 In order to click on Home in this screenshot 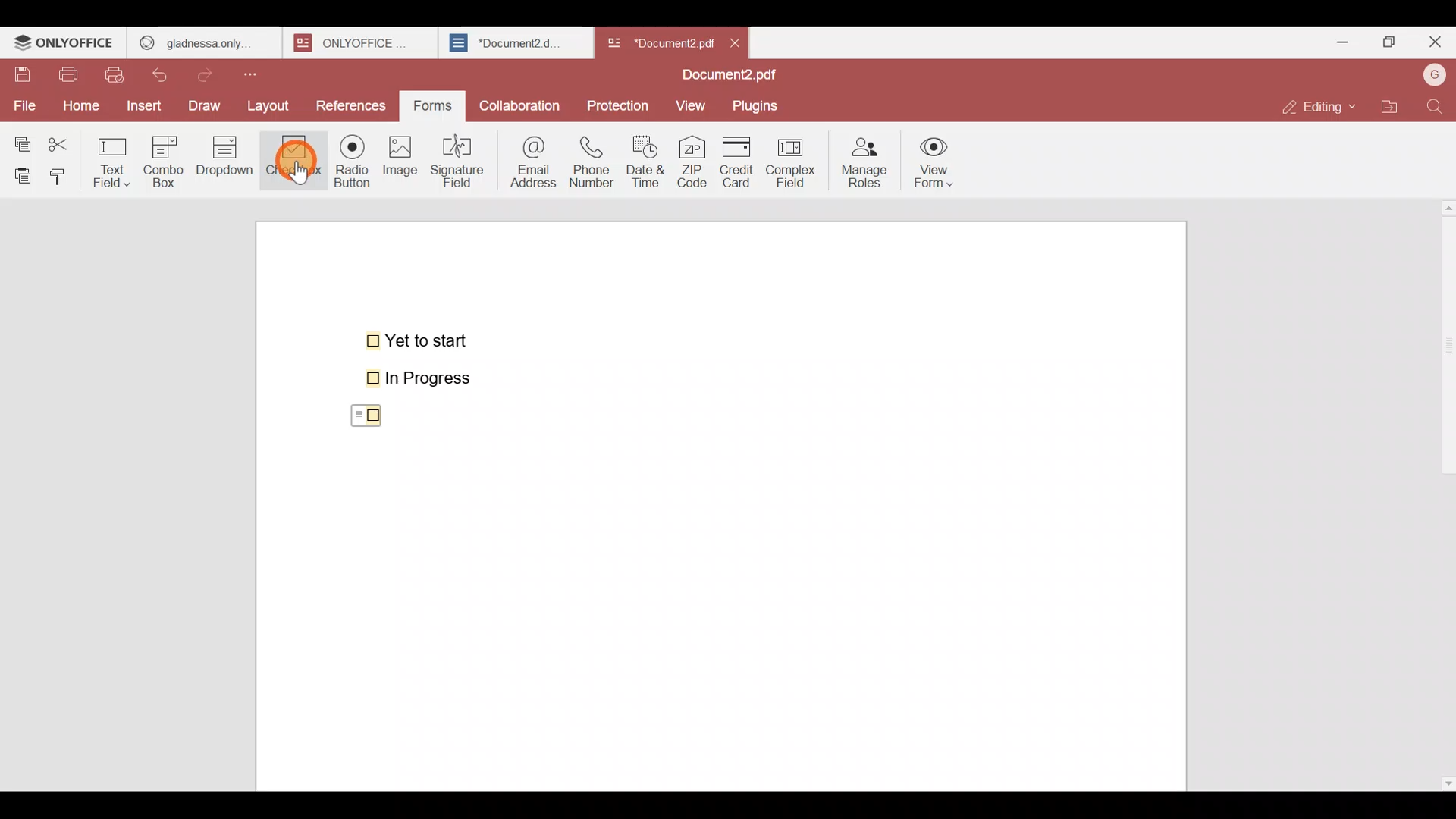, I will do `click(78, 105)`.